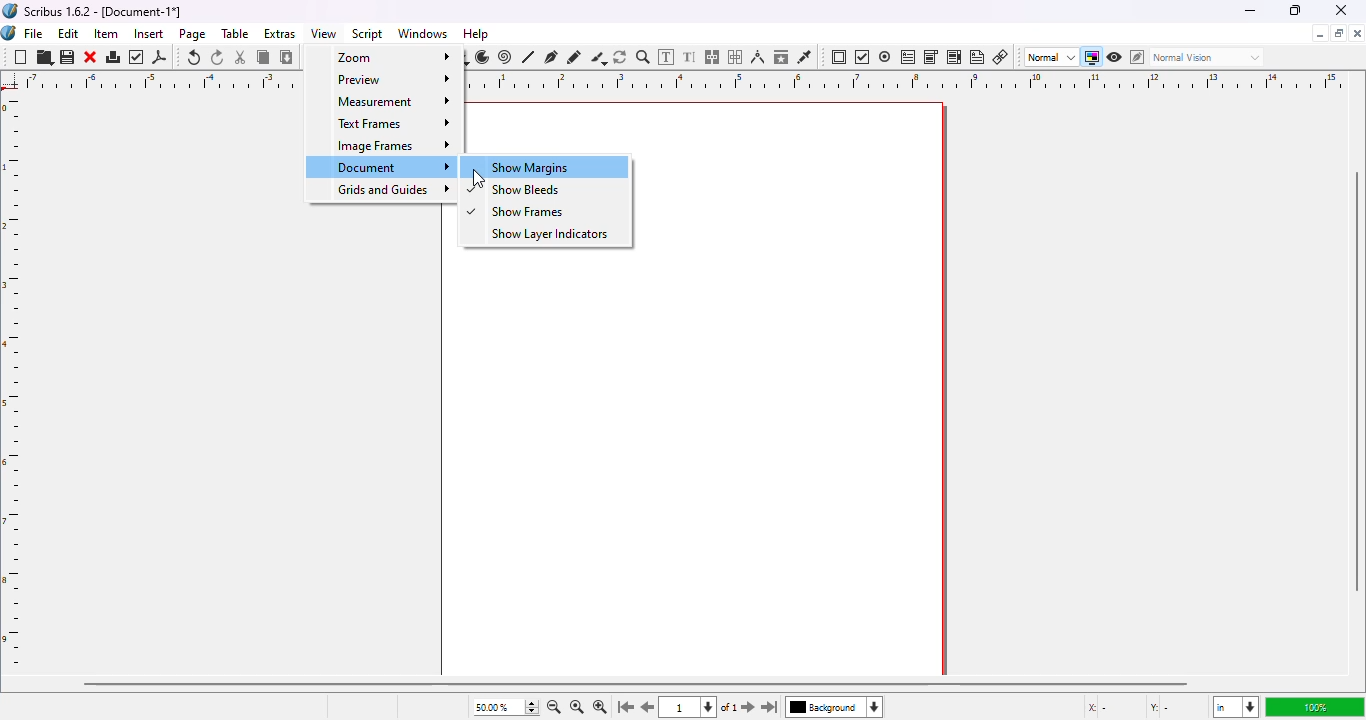  What do you see at coordinates (773, 709) in the screenshot?
I see `go to the last page` at bounding box center [773, 709].